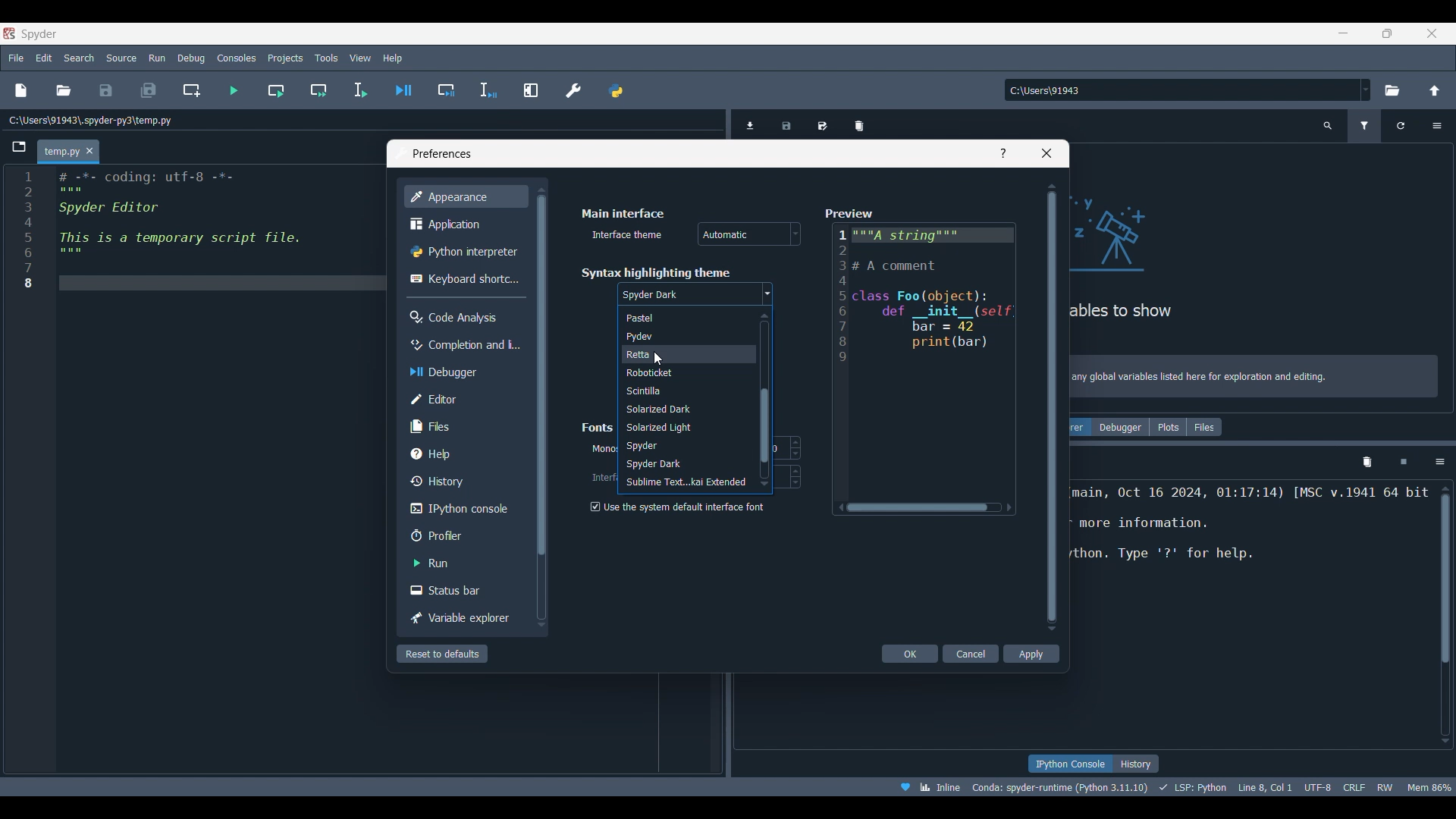 The height and width of the screenshot is (819, 1456). I want to click on Close interface, so click(1432, 33).